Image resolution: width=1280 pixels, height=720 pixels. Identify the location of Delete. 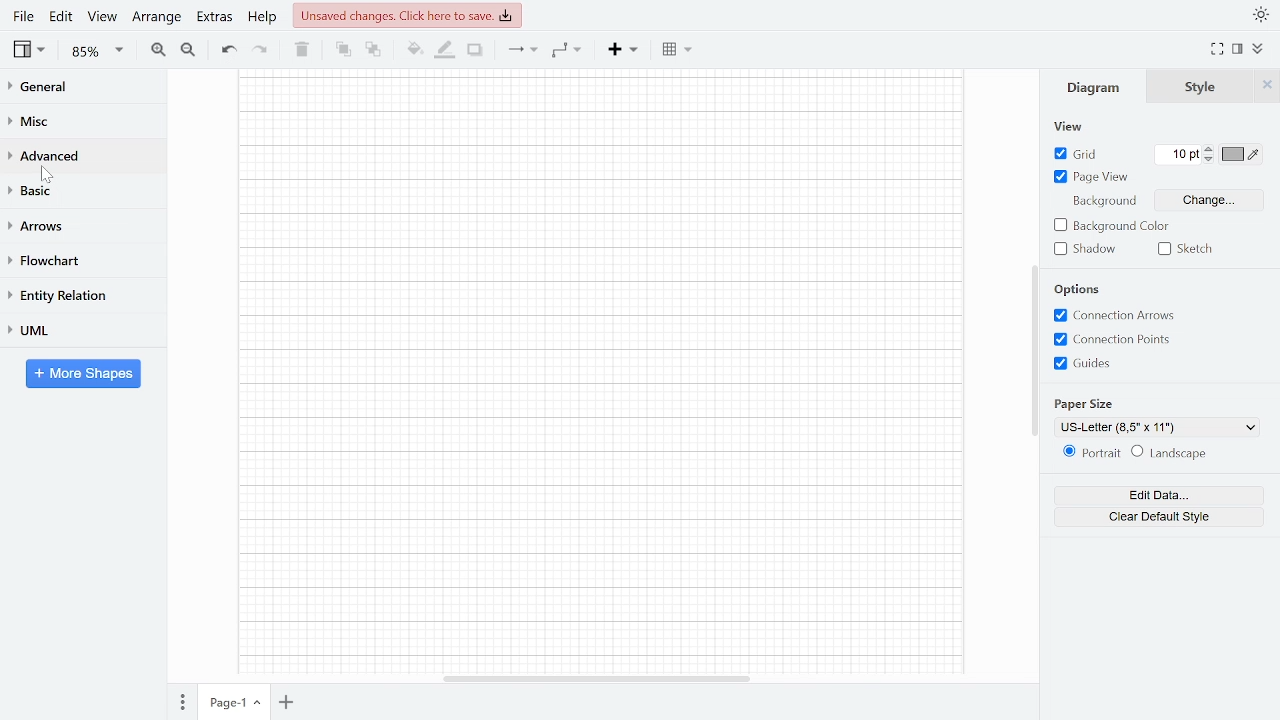
(301, 51).